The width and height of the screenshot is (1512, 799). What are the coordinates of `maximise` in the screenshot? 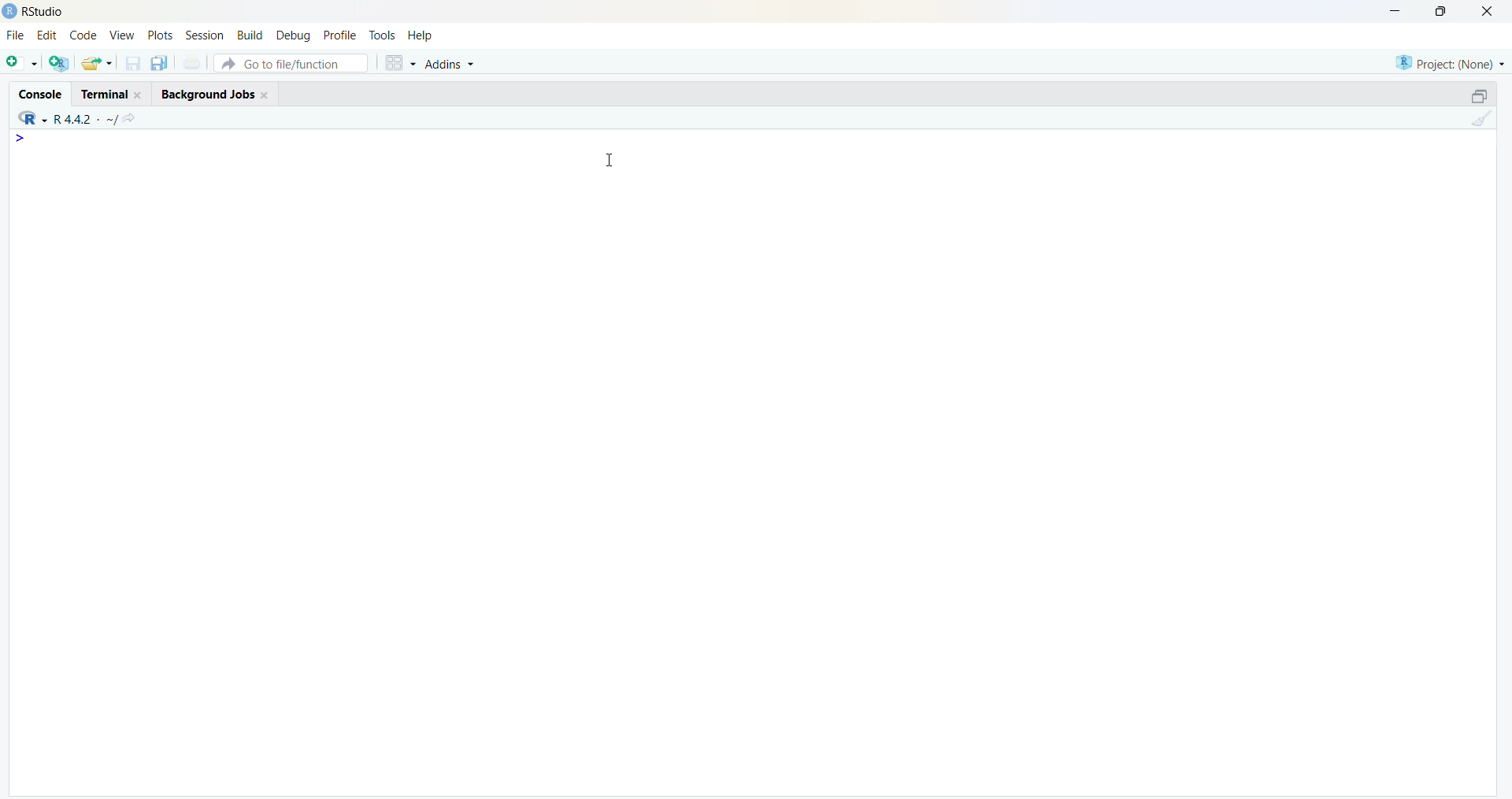 It's located at (1441, 11).